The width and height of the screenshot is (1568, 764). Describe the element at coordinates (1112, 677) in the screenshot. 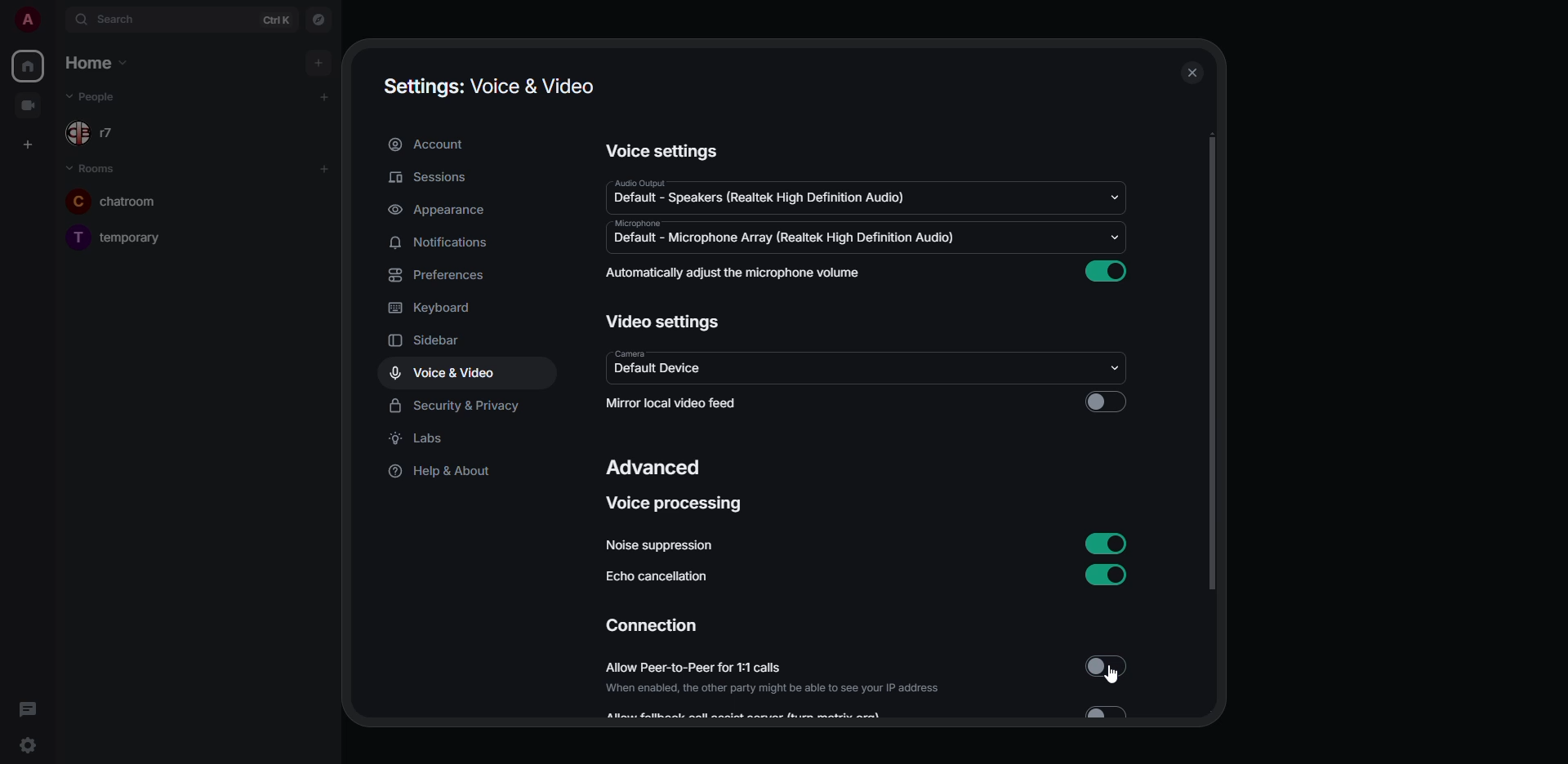

I see `cursor` at that location.